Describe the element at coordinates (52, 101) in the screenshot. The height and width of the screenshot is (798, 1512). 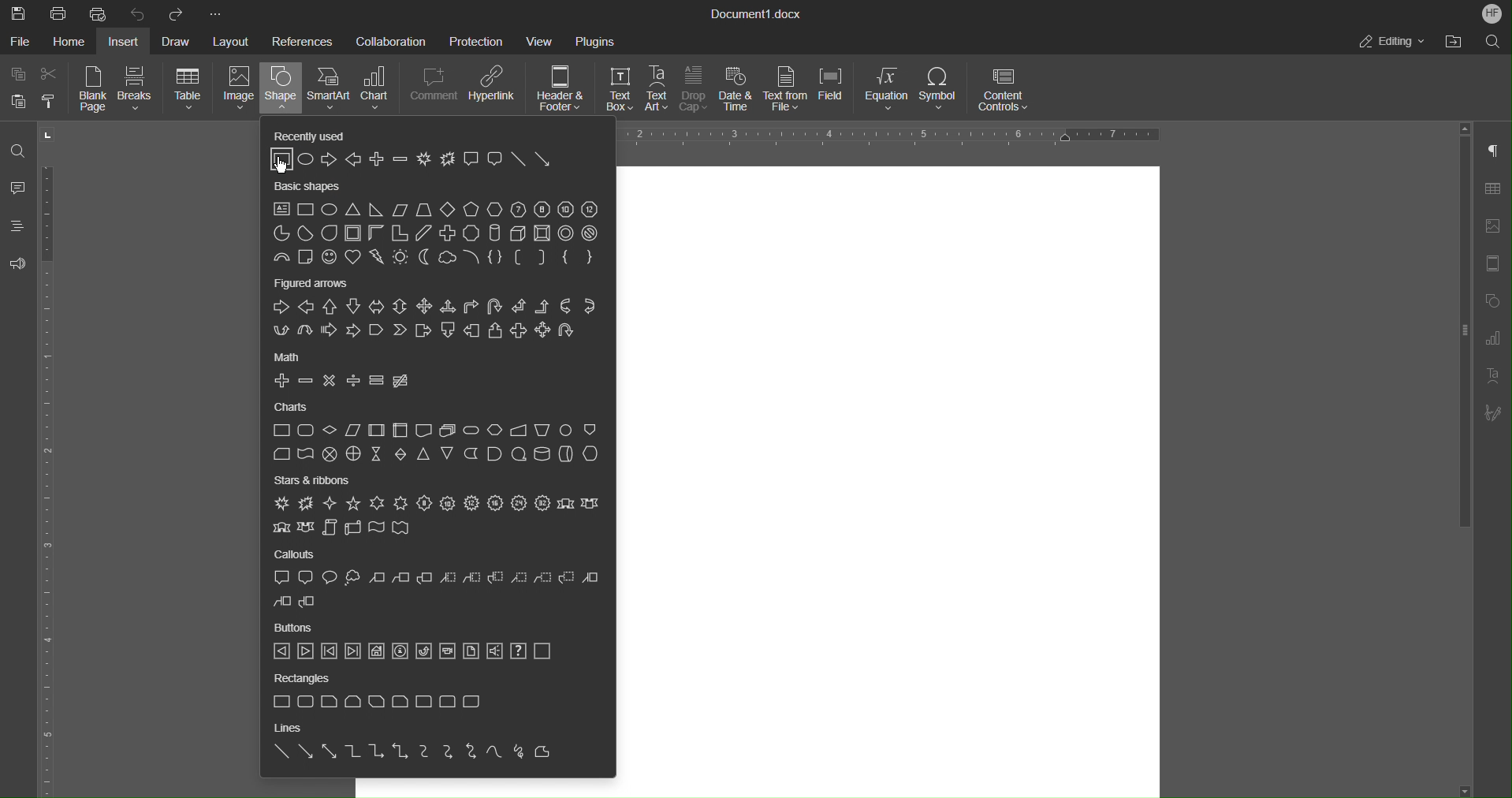
I see `Copy Style` at that location.